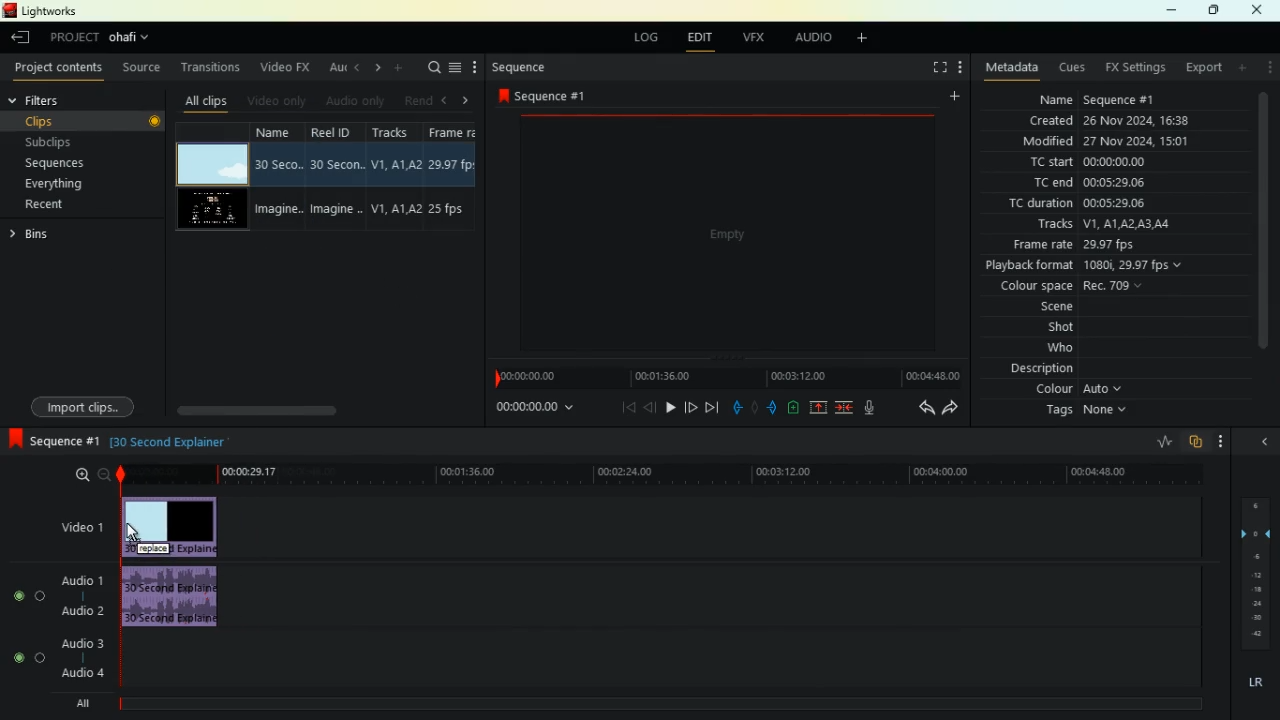  What do you see at coordinates (962, 65) in the screenshot?
I see `more` at bounding box center [962, 65].